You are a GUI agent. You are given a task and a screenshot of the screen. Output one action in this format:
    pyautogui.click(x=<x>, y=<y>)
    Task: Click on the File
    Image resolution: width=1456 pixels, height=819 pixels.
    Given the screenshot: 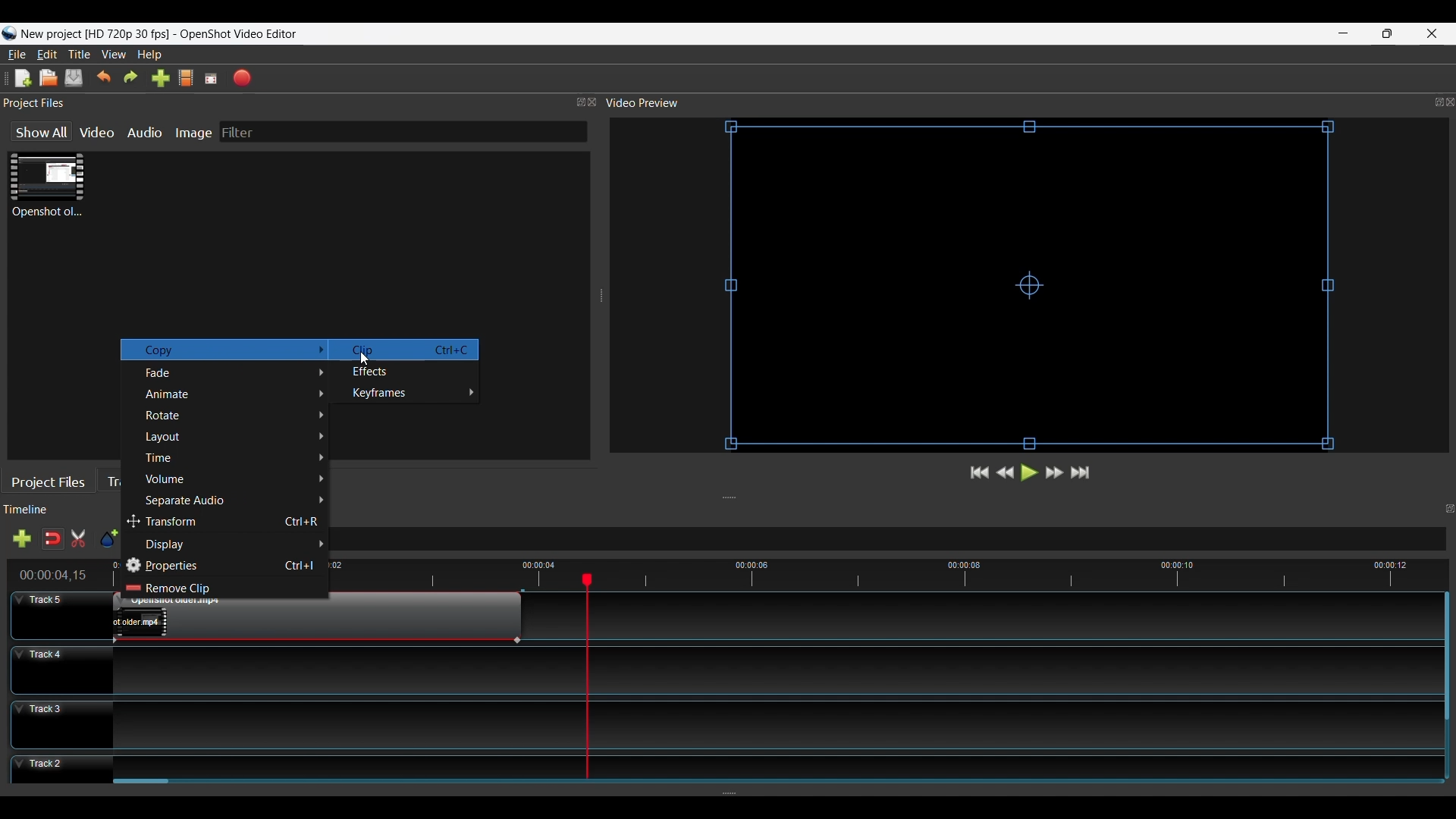 What is the action you would take?
    pyautogui.click(x=17, y=54)
    